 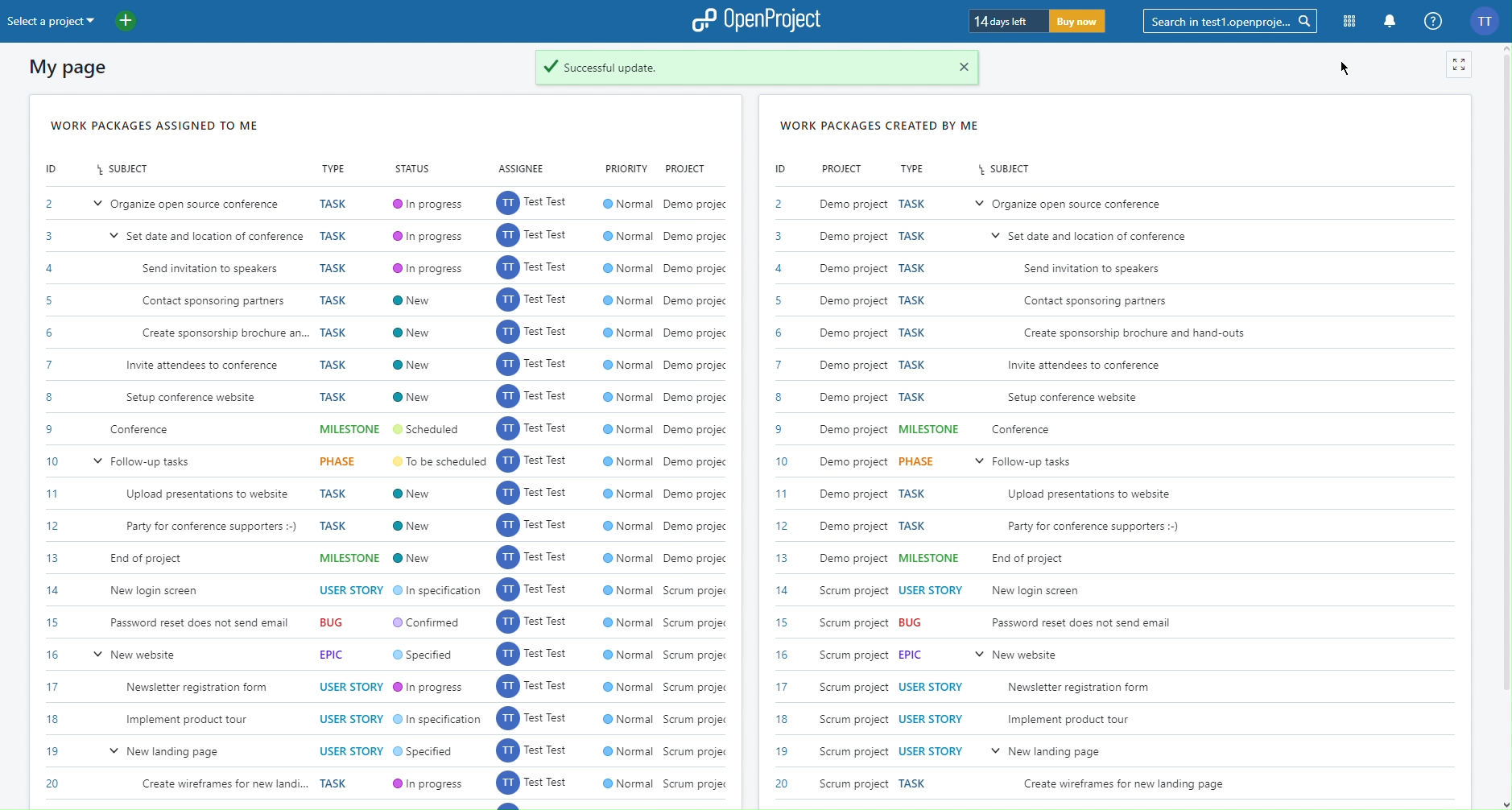 What do you see at coordinates (338, 655) in the screenshot?
I see `Epic` at bounding box center [338, 655].